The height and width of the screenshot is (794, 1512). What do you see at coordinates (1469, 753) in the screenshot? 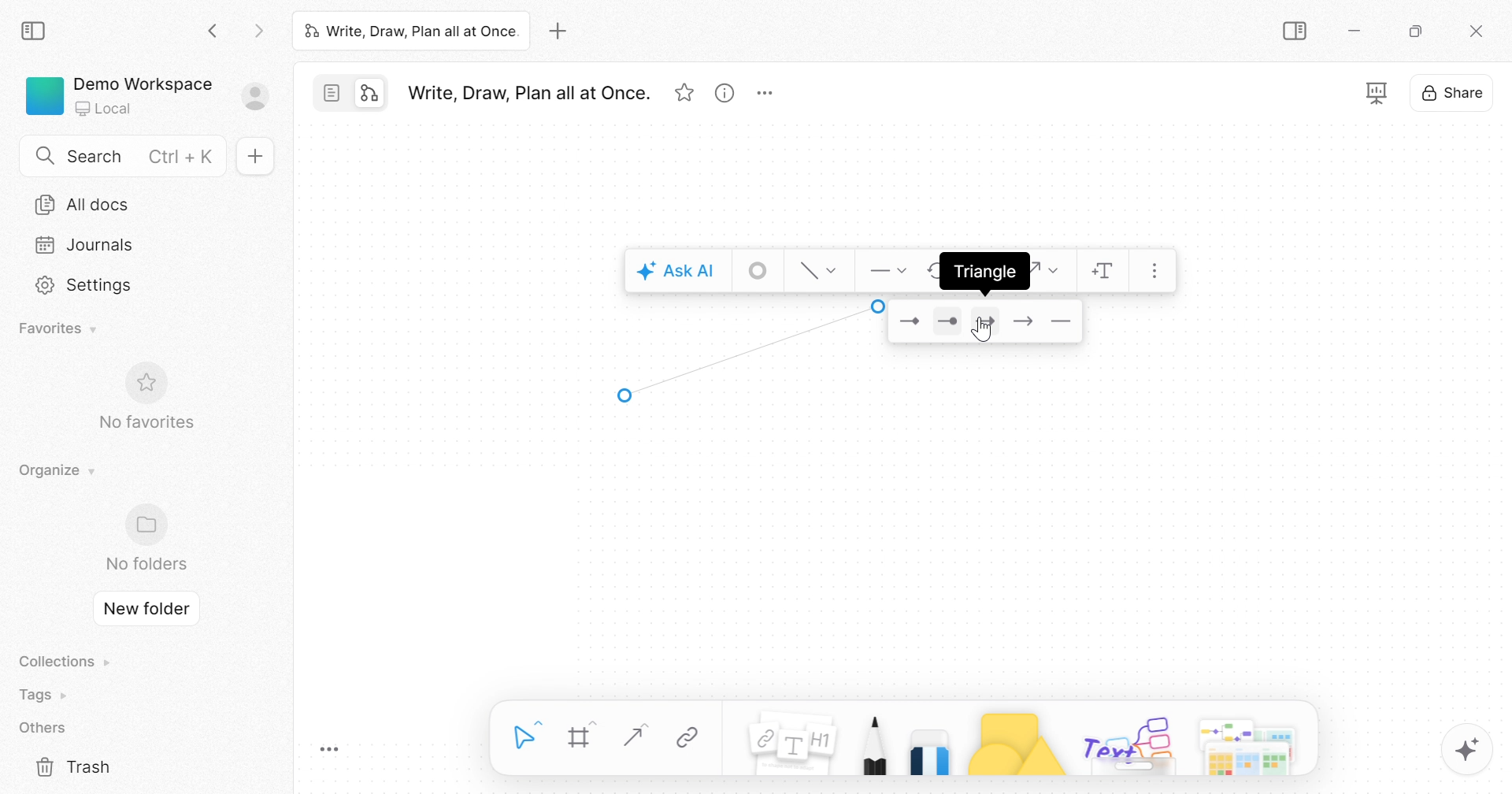
I see `AFFINE AI` at bounding box center [1469, 753].